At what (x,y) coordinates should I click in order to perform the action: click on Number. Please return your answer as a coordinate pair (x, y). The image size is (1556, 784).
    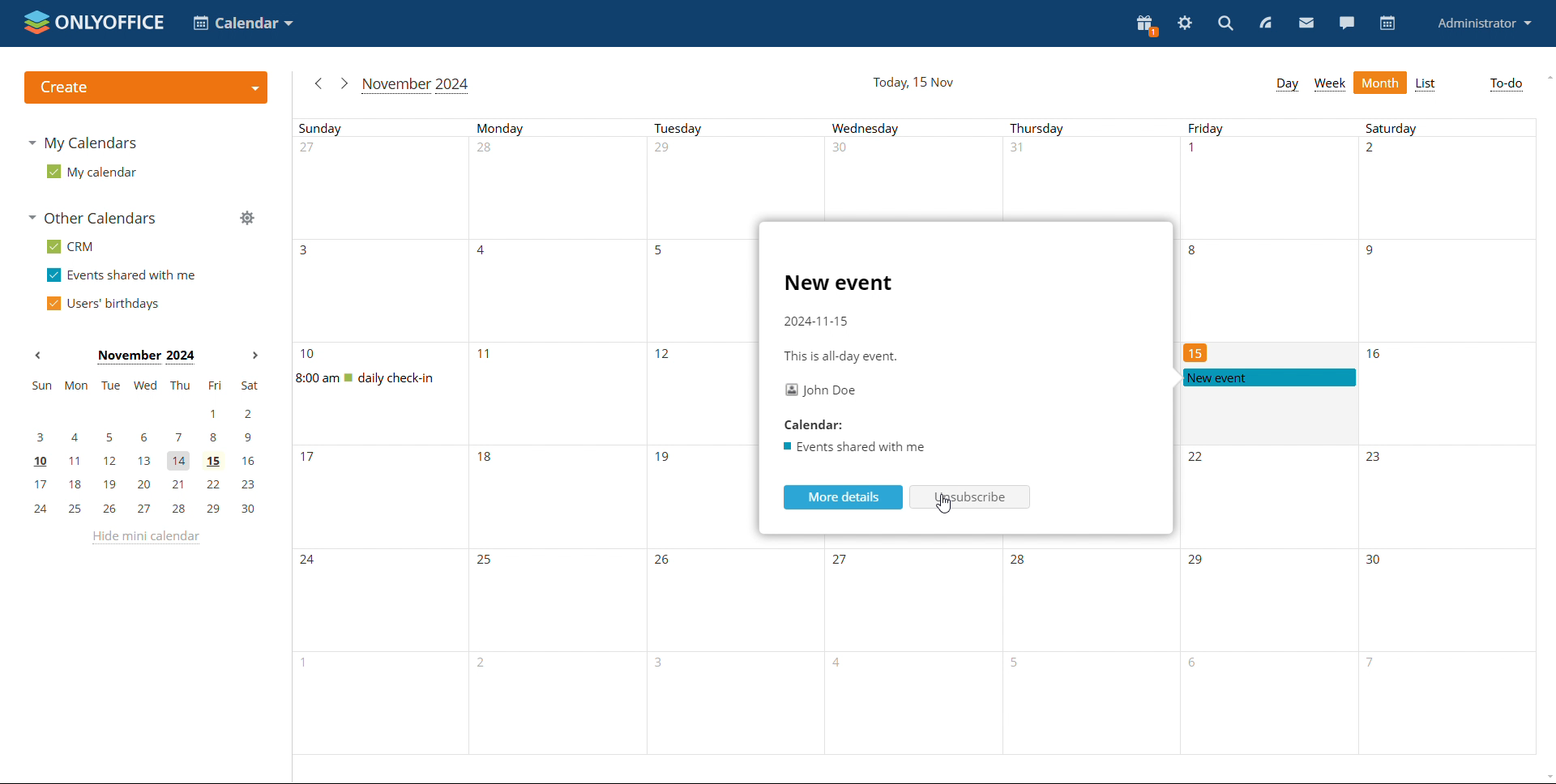
    Looking at the image, I should click on (489, 462).